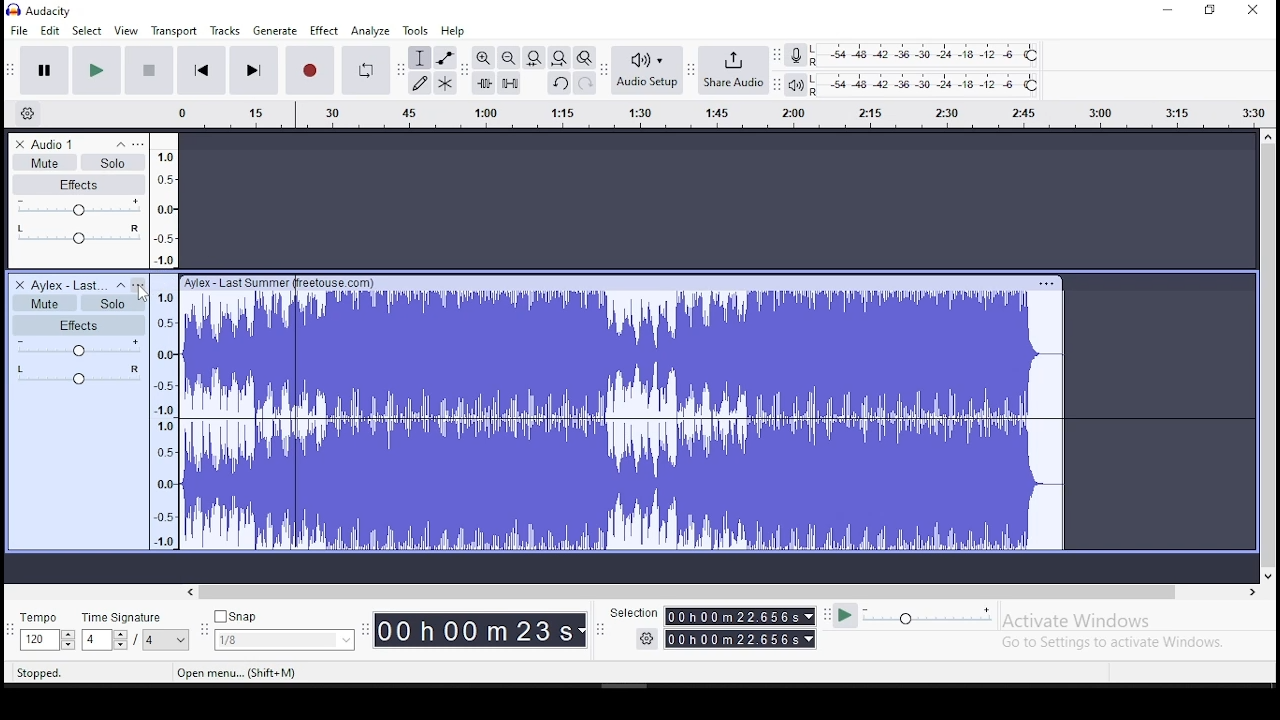  Describe the element at coordinates (420, 83) in the screenshot. I see `draw tool` at that location.